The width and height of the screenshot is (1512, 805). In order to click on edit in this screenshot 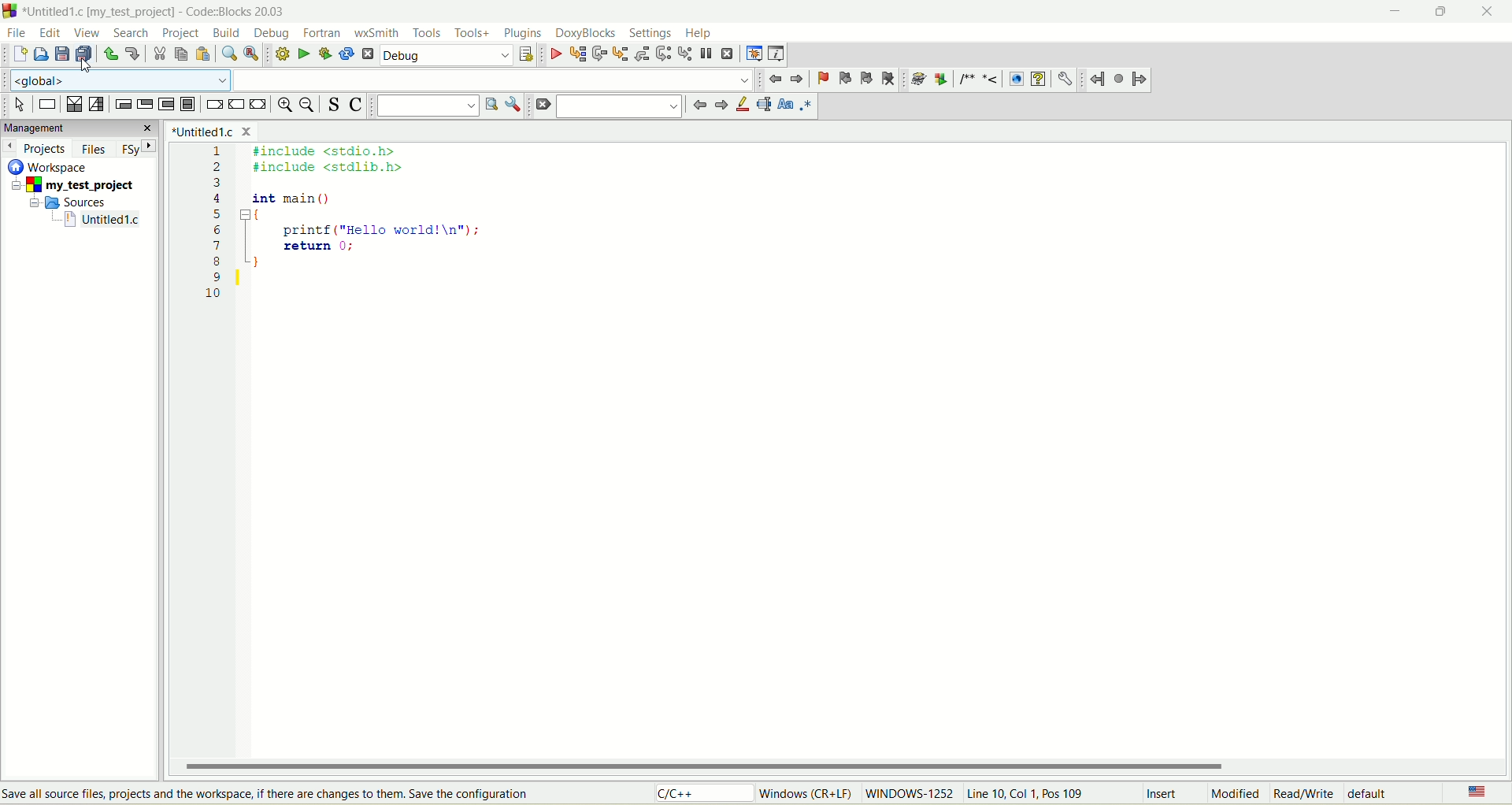, I will do `click(51, 32)`.